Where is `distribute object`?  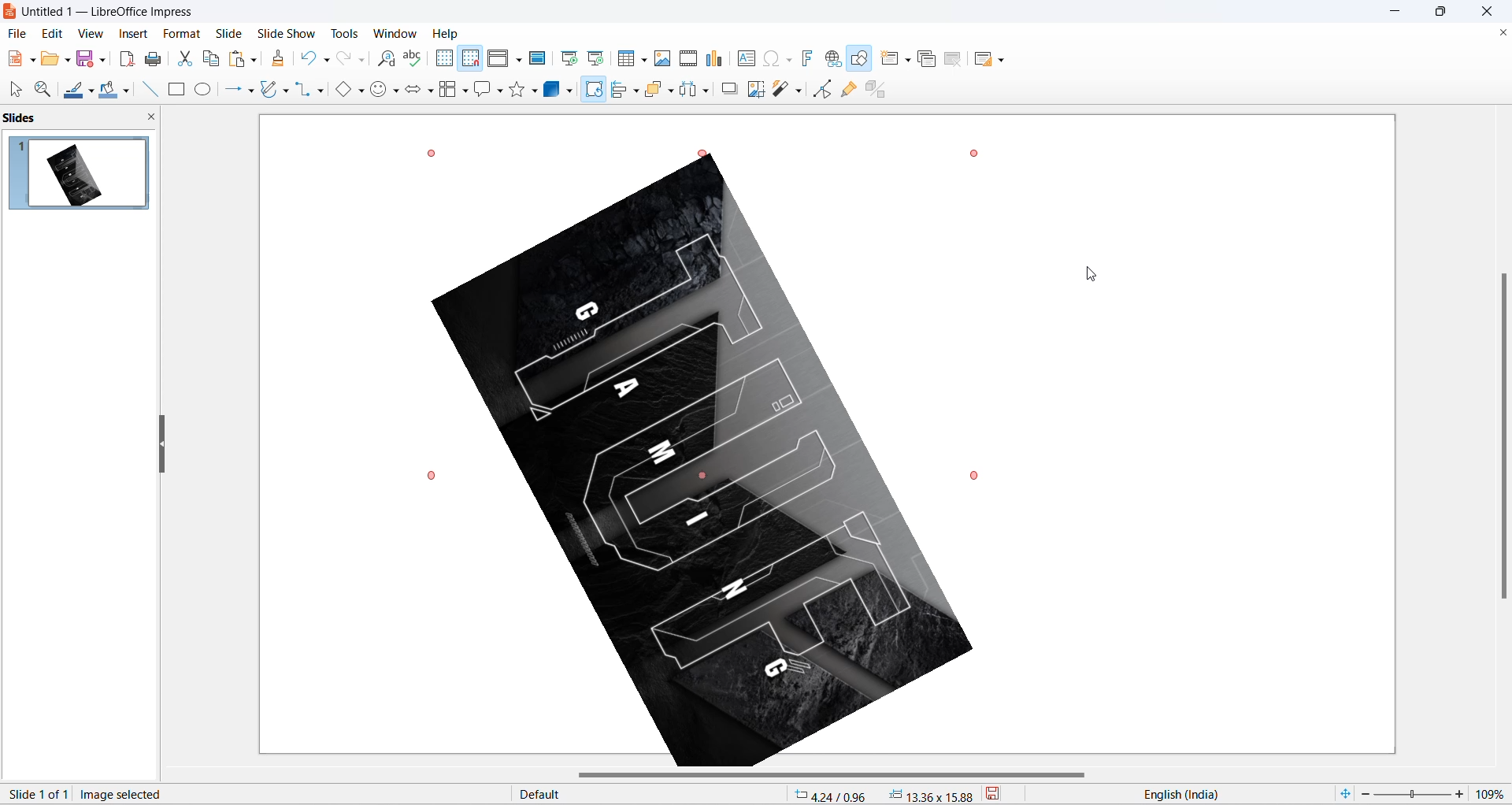 distribute object is located at coordinates (710, 92).